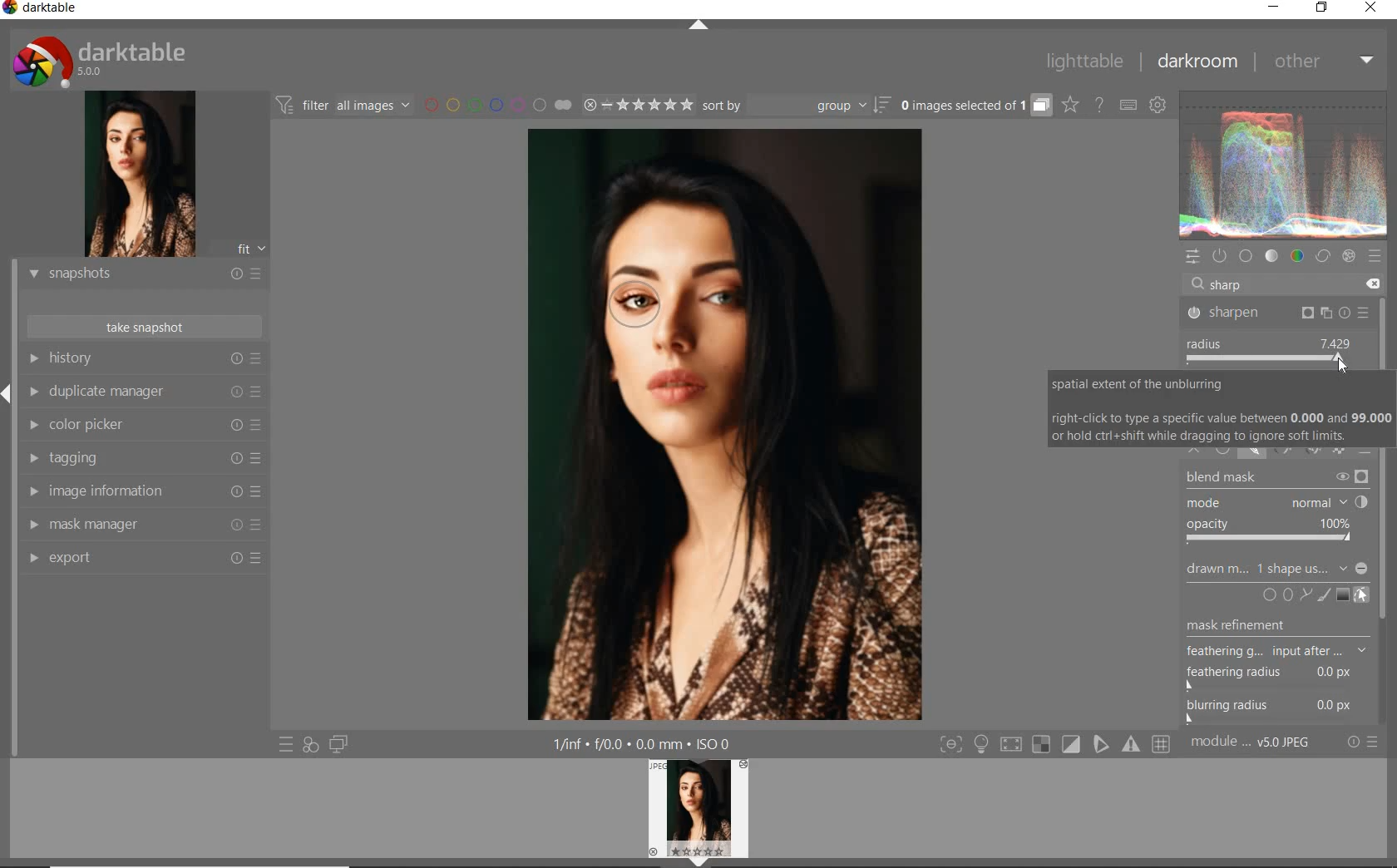 This screenshot has height=868, width=1397. What do you see at coordinates (141, 176) in the screenshot?
I see `image preview` at bounding box center [141, 176].